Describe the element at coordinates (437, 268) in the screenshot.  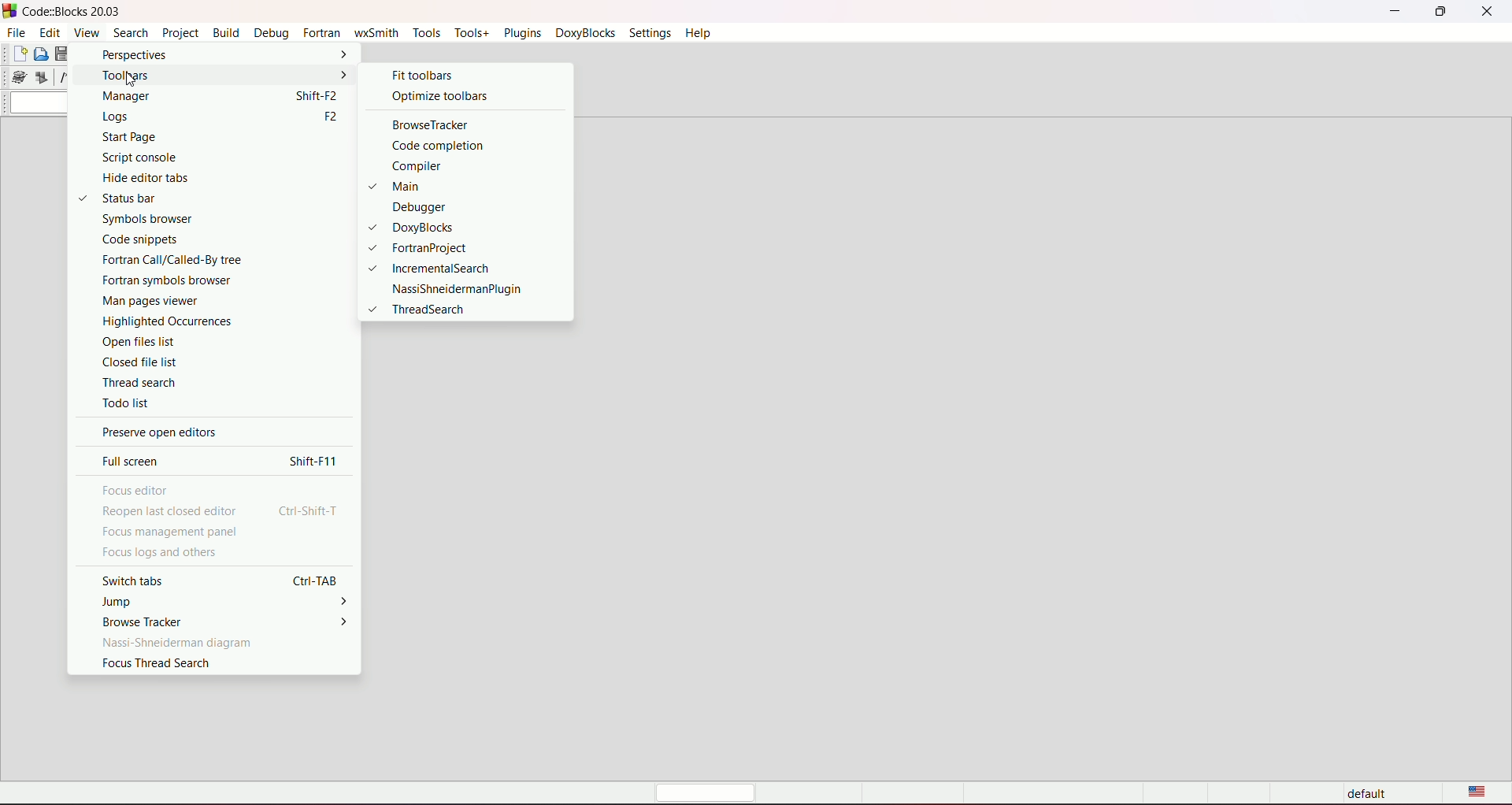
I see `incremental search` at that location.